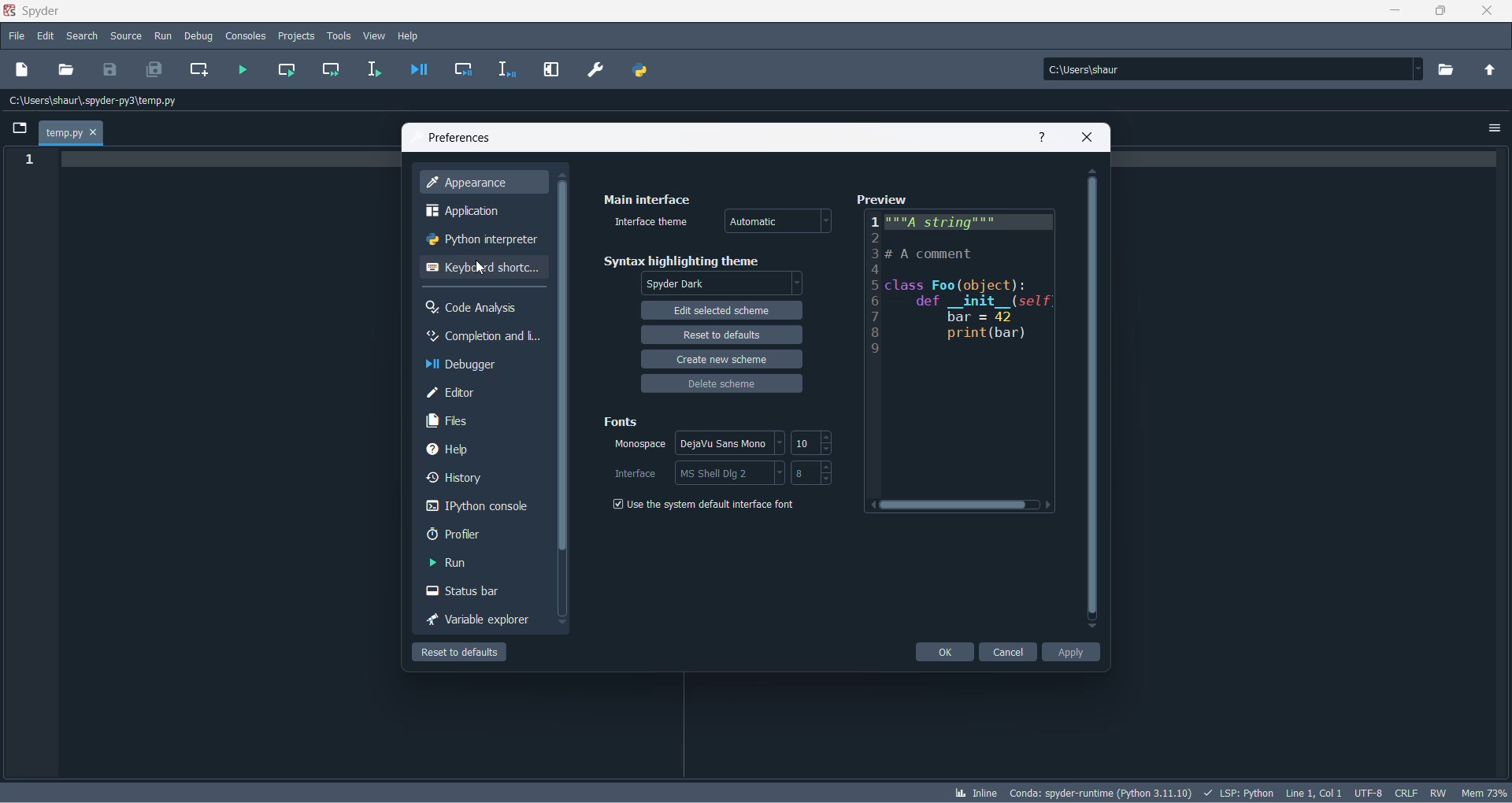  I want to click on increment, so click(826, 466).